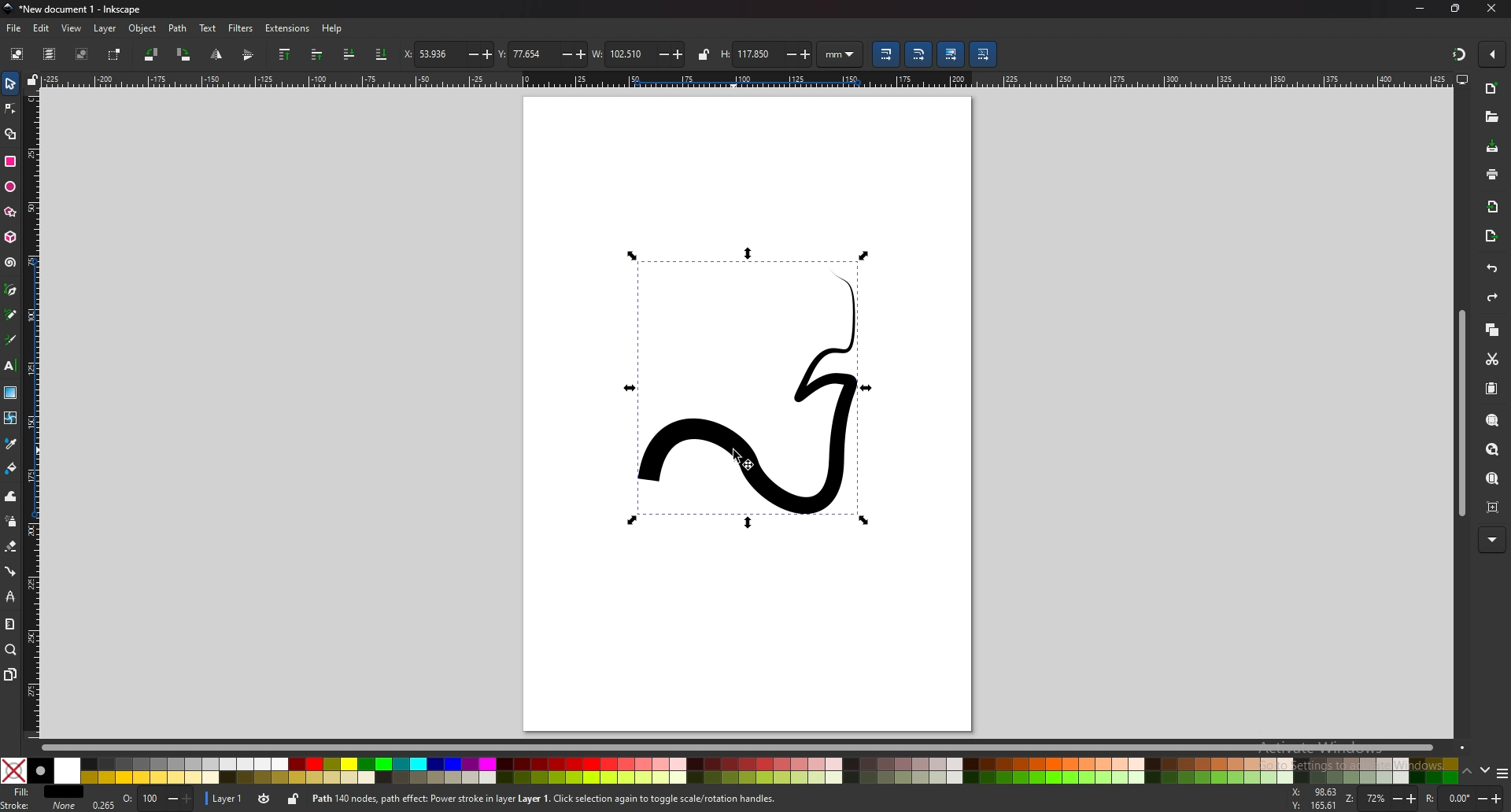 The image size is (1511, 812). What do you see at coordinates (1493, 330) in the screenshot?
I see `copy` at bounding box center [1493, 330].